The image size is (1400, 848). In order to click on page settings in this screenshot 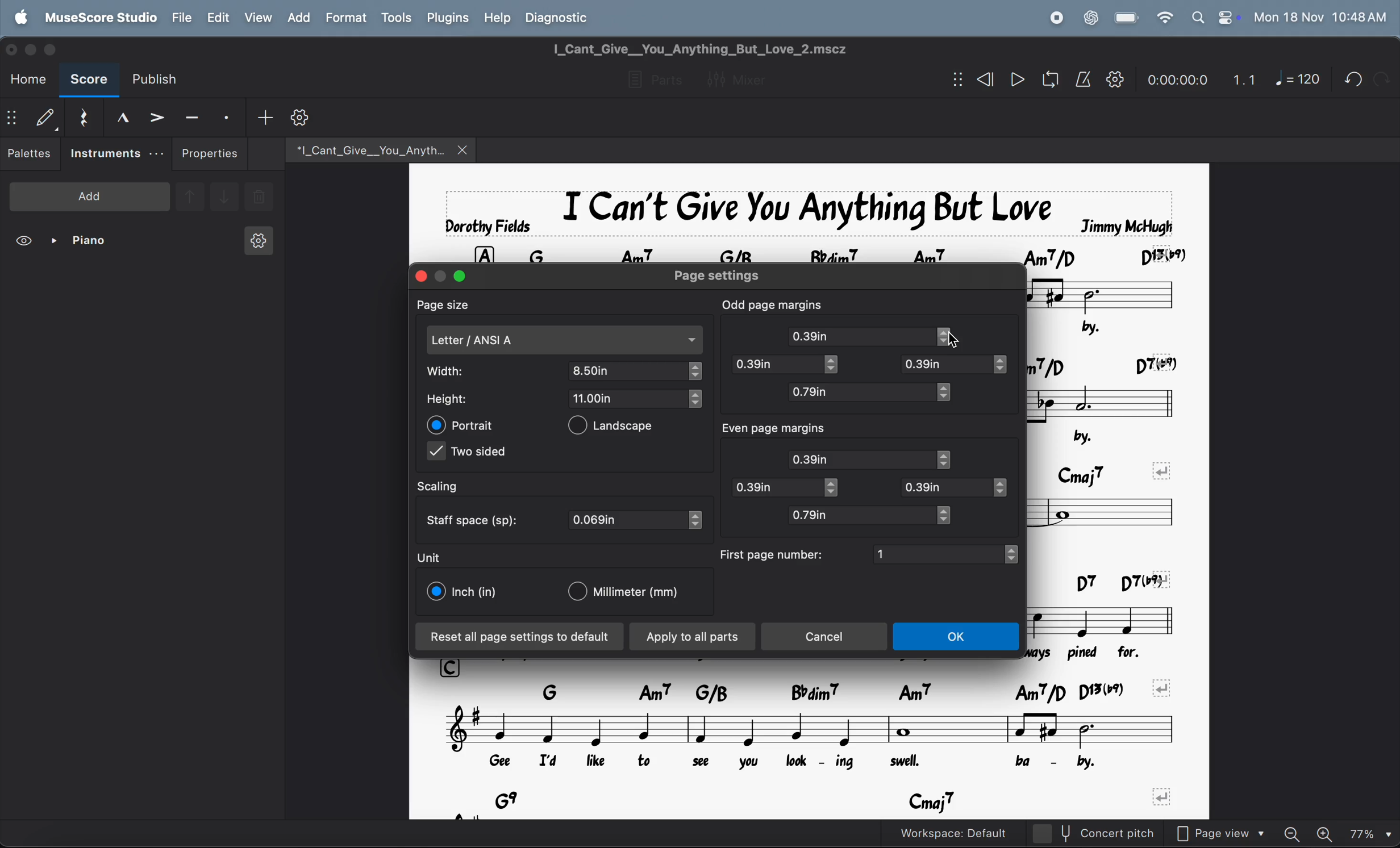, I will do `click(732, 275)`.